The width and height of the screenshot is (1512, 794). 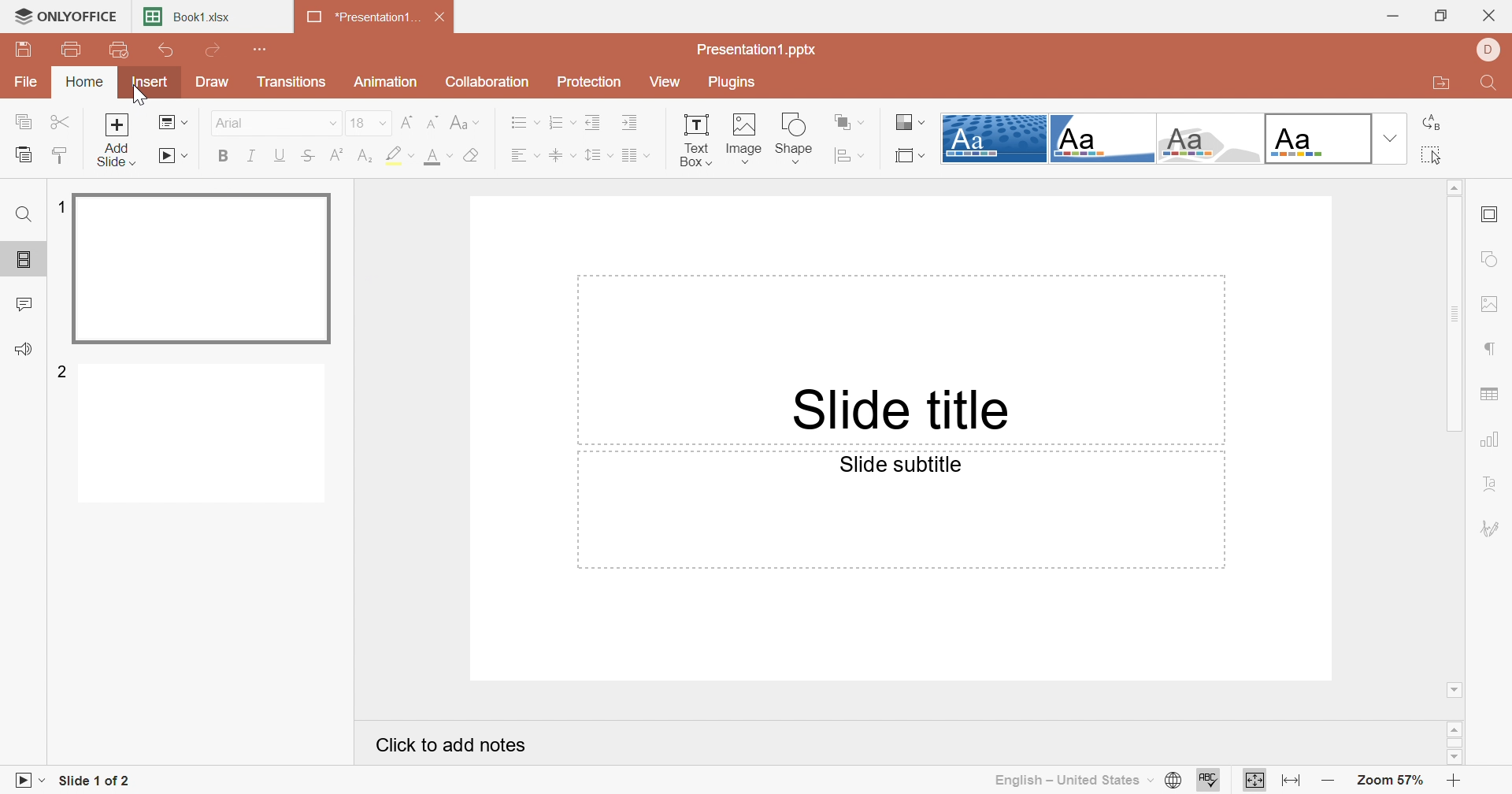 What do you see at coordinates (190, 18) in the screenshot?
I see `Book1.xlsx` at bounding box center [190, 18].